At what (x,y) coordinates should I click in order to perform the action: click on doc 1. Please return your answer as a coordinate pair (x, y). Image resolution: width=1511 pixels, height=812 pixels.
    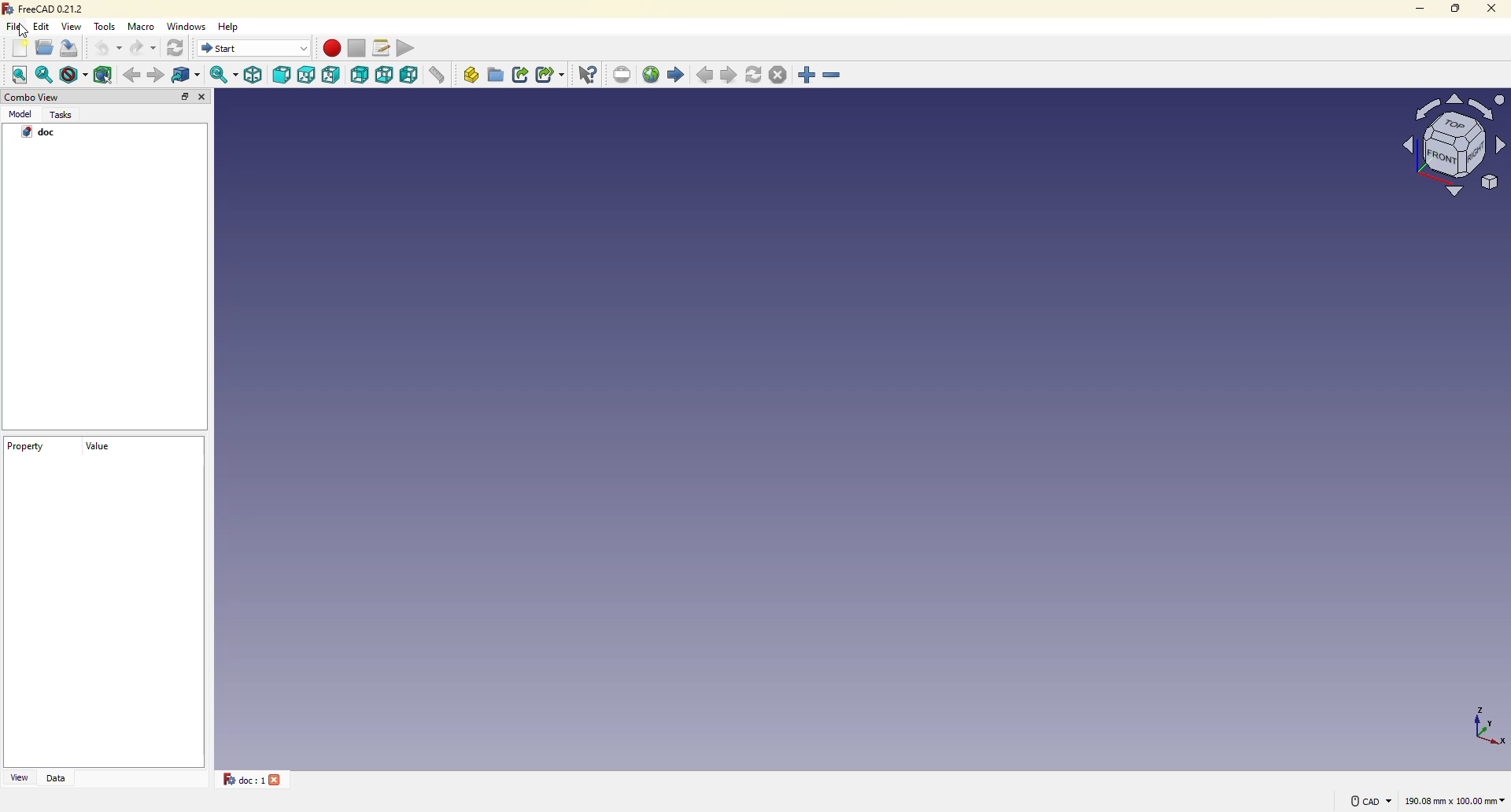
    Looking at the image, I should click on (238, 779).